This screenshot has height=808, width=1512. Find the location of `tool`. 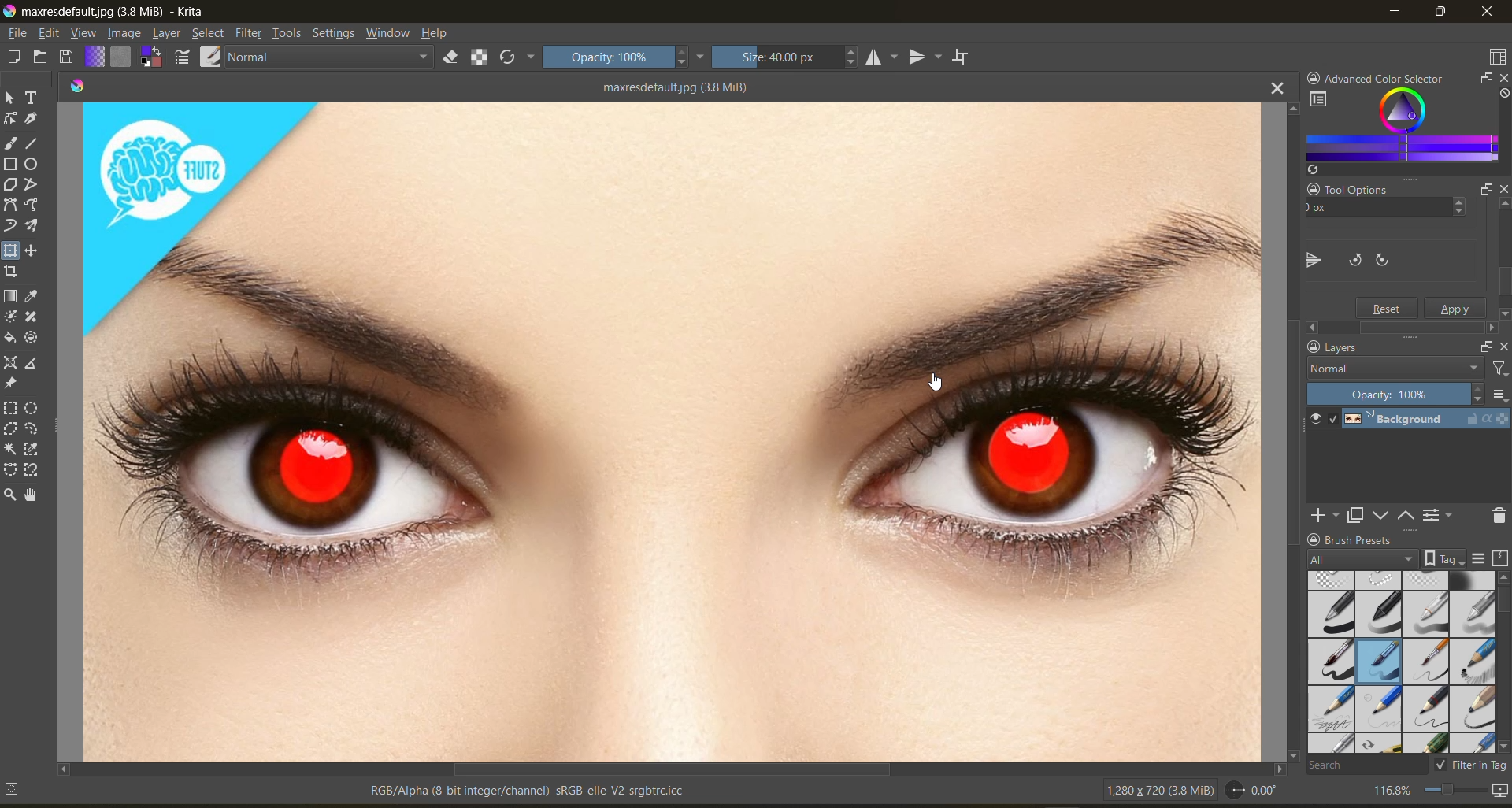

tool is located at coordinates (9, 468).